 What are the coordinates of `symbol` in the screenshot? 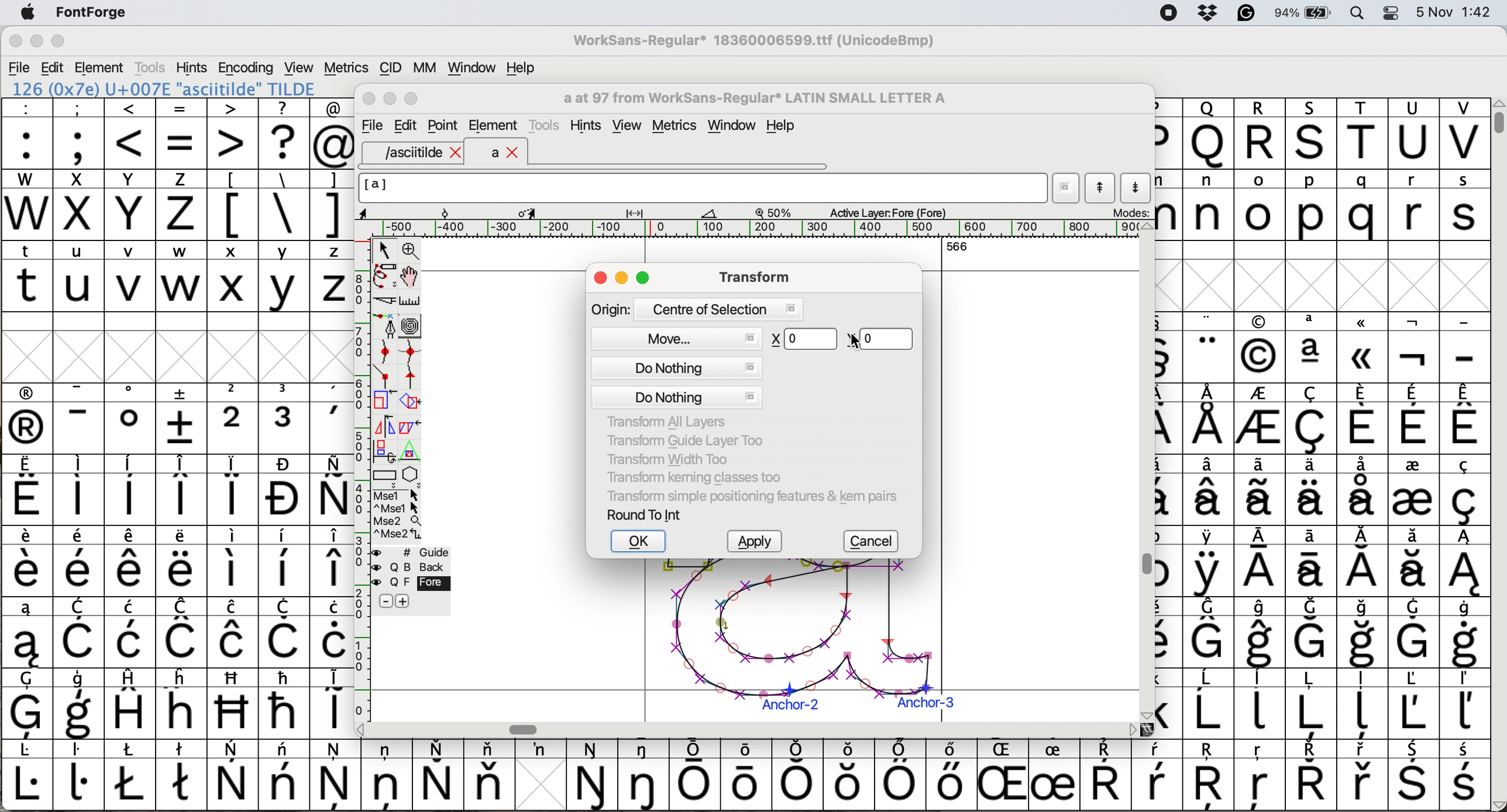 It's located at (1364, 562).